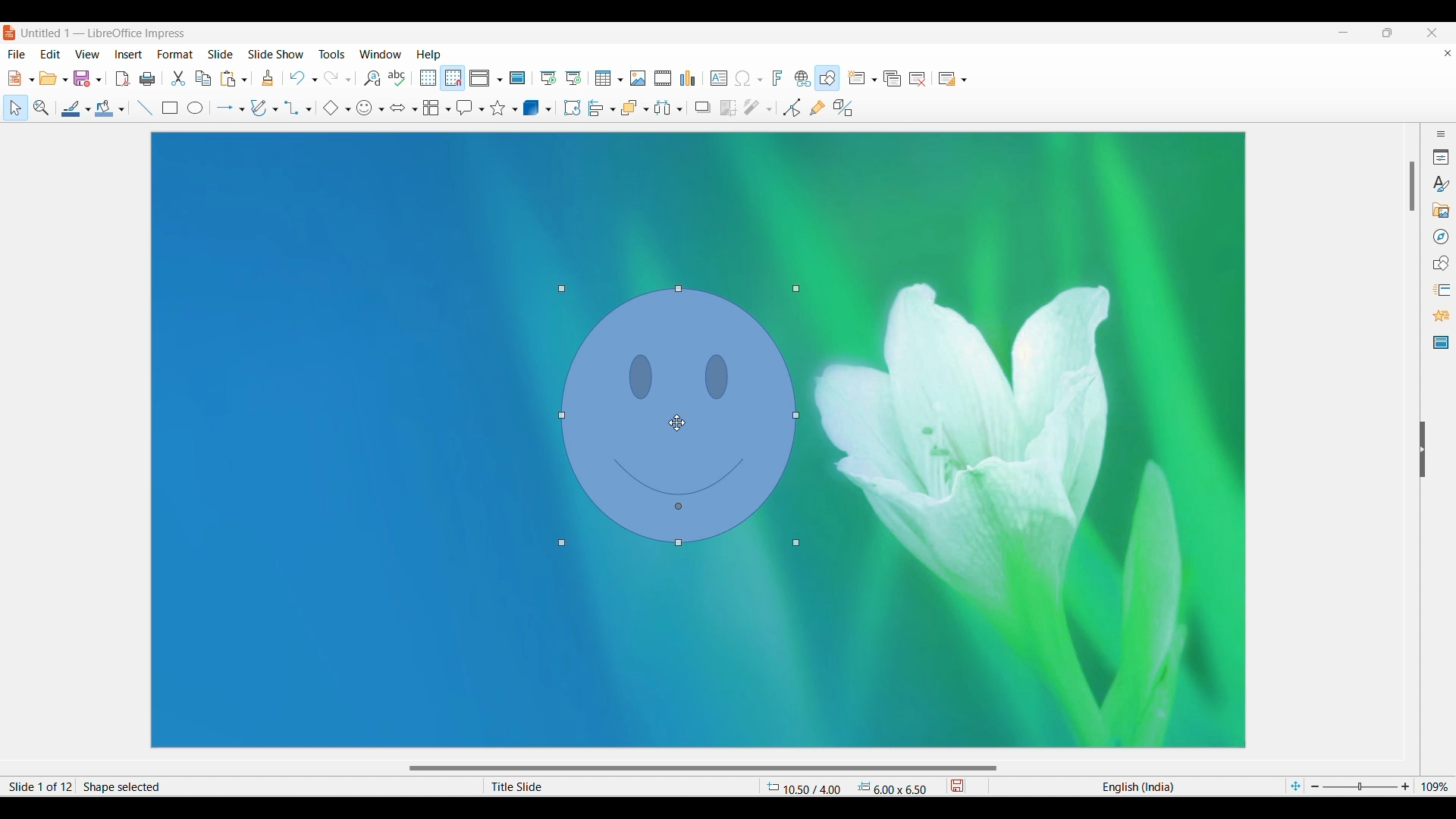  I want to click on Zoom in, so click(1405, 786).